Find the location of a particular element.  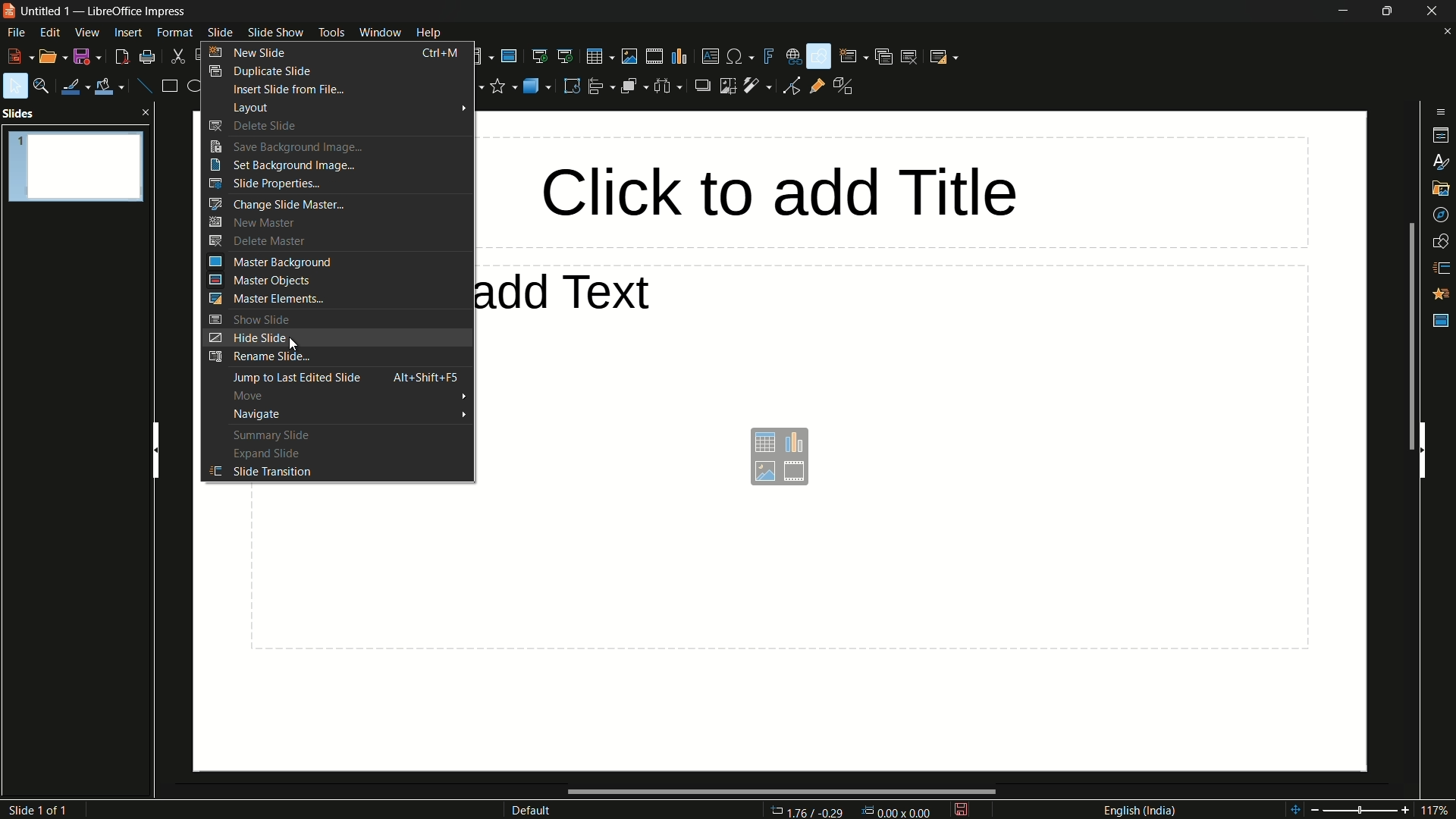

click to add text is located at coordinates (601, 293).